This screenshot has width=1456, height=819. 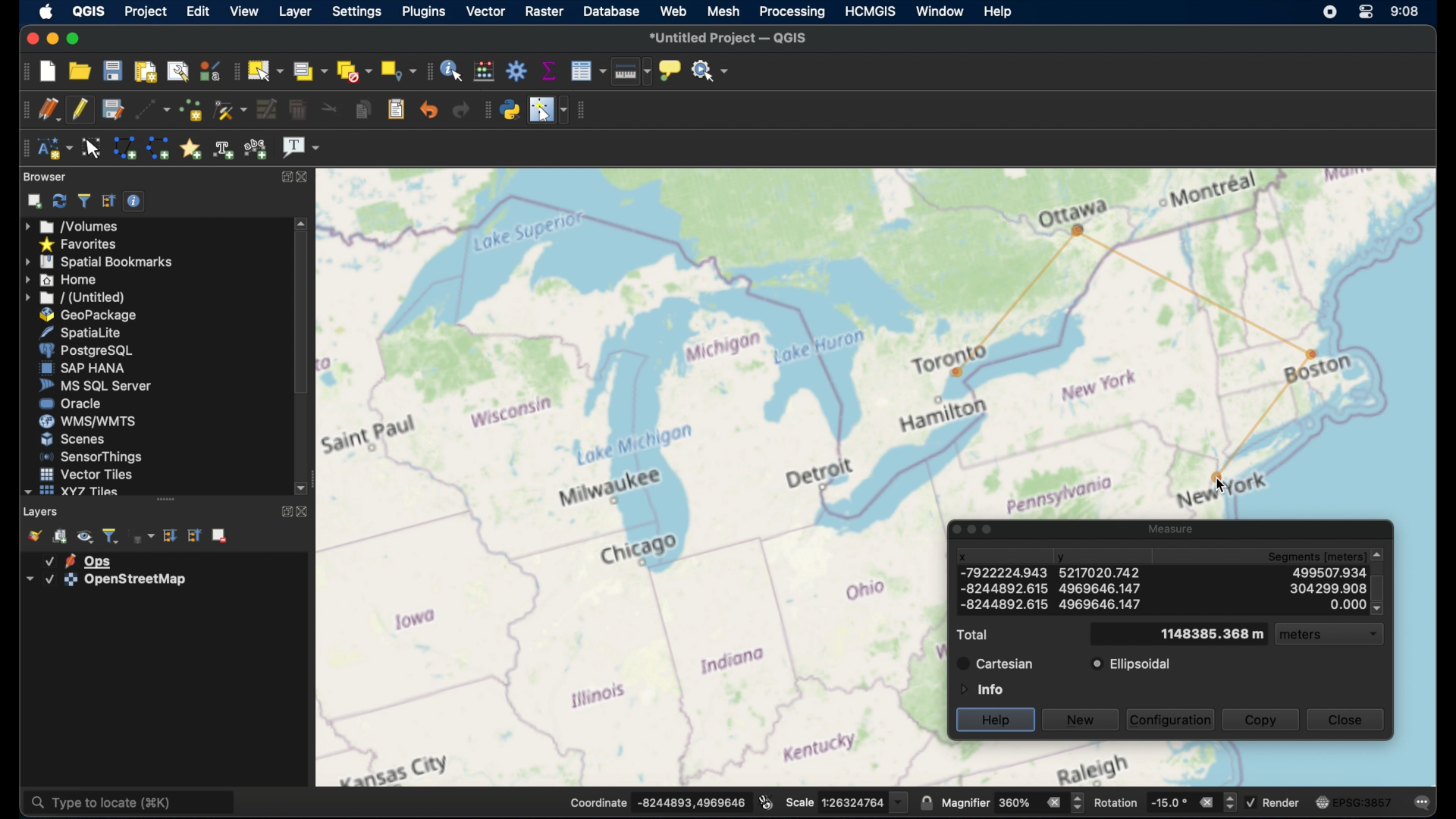 I want to click on measure, so click(x=1168, y=527).